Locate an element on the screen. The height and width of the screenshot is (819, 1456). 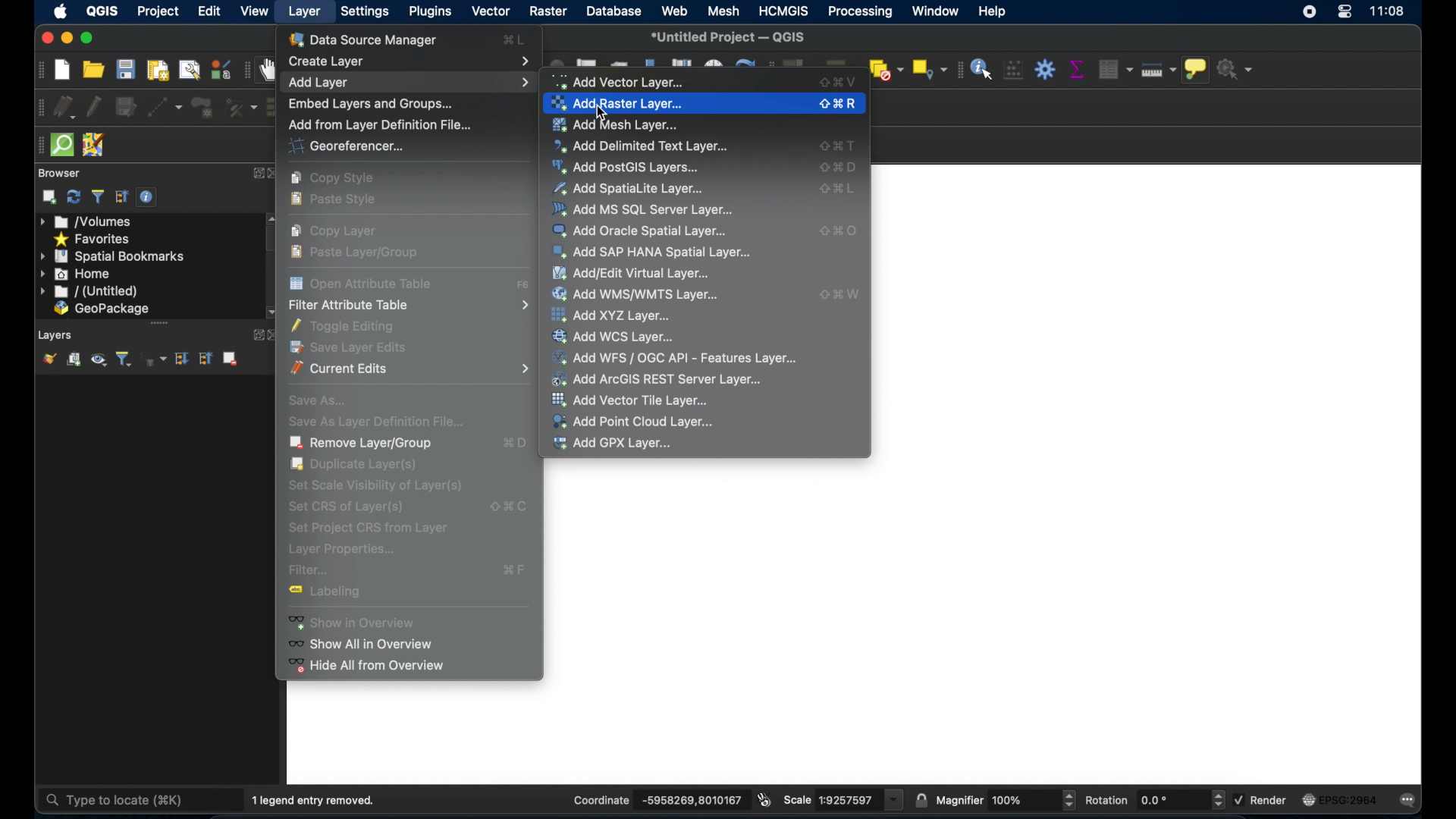
untitled project - QGIS is located at coordinates (732, 36).